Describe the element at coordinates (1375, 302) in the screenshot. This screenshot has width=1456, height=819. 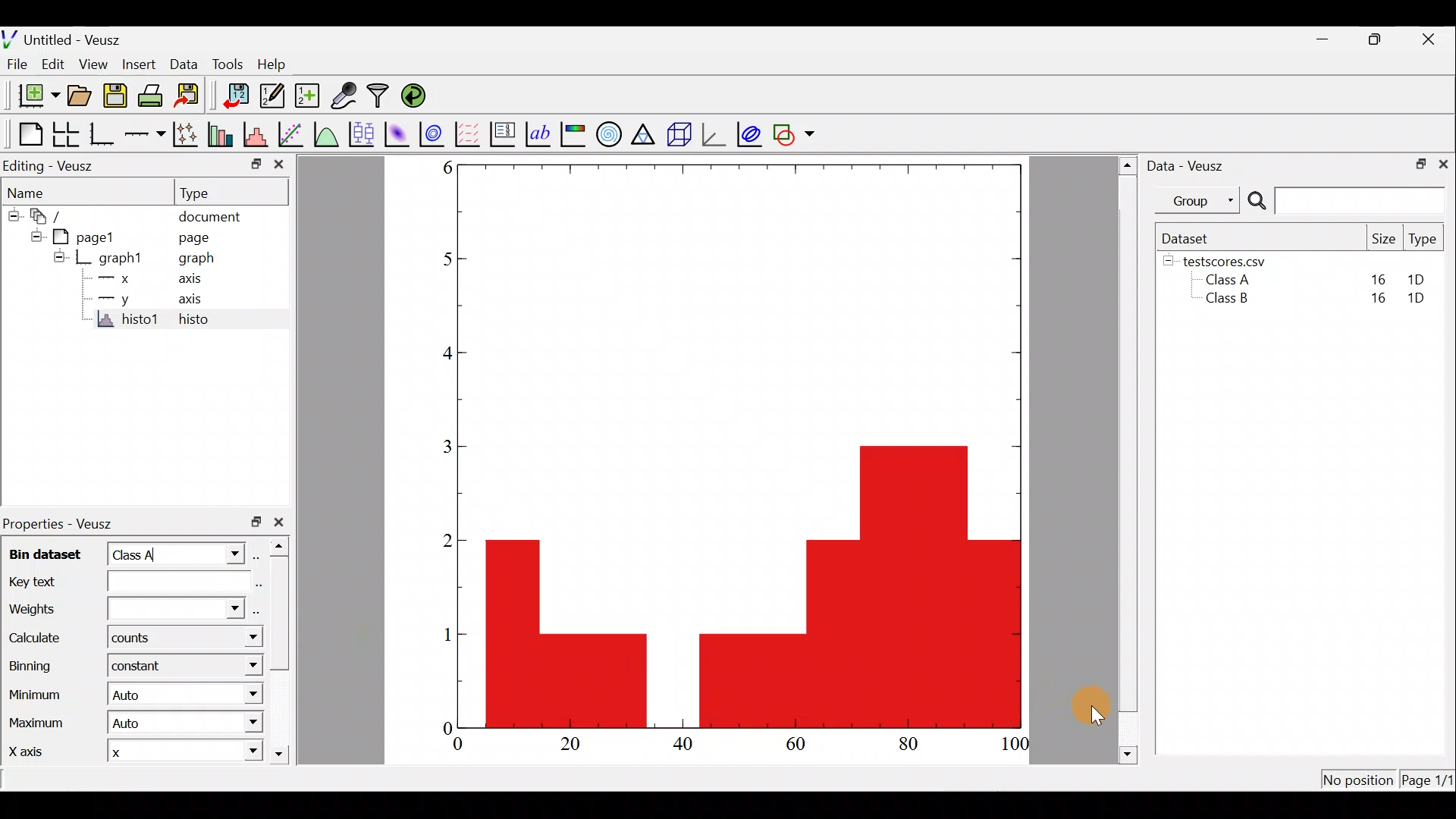
I see `16` at that location.